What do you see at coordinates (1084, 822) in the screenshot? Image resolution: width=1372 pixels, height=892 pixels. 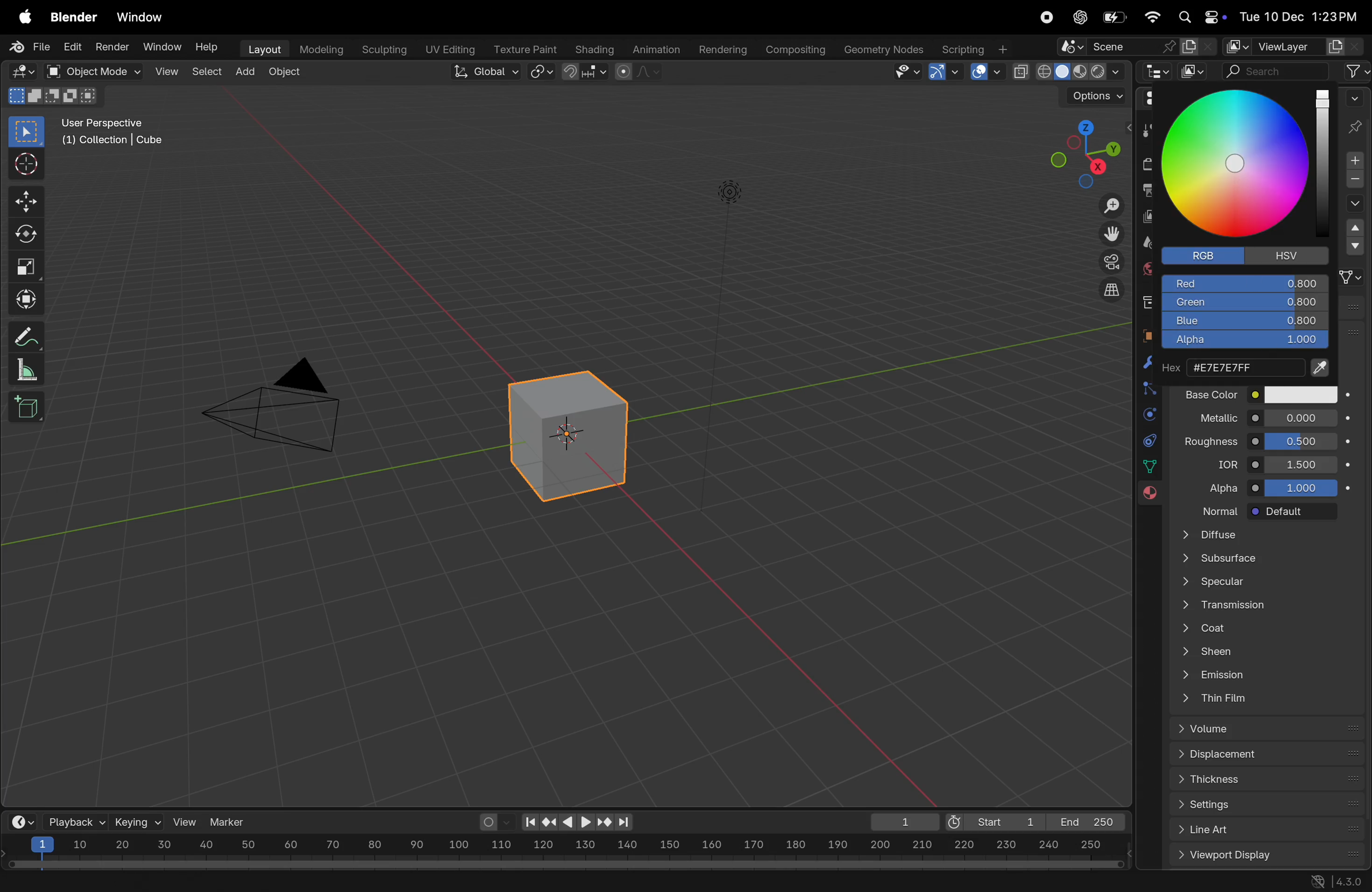 I see `end 250` at bounding box center [1084, 822].